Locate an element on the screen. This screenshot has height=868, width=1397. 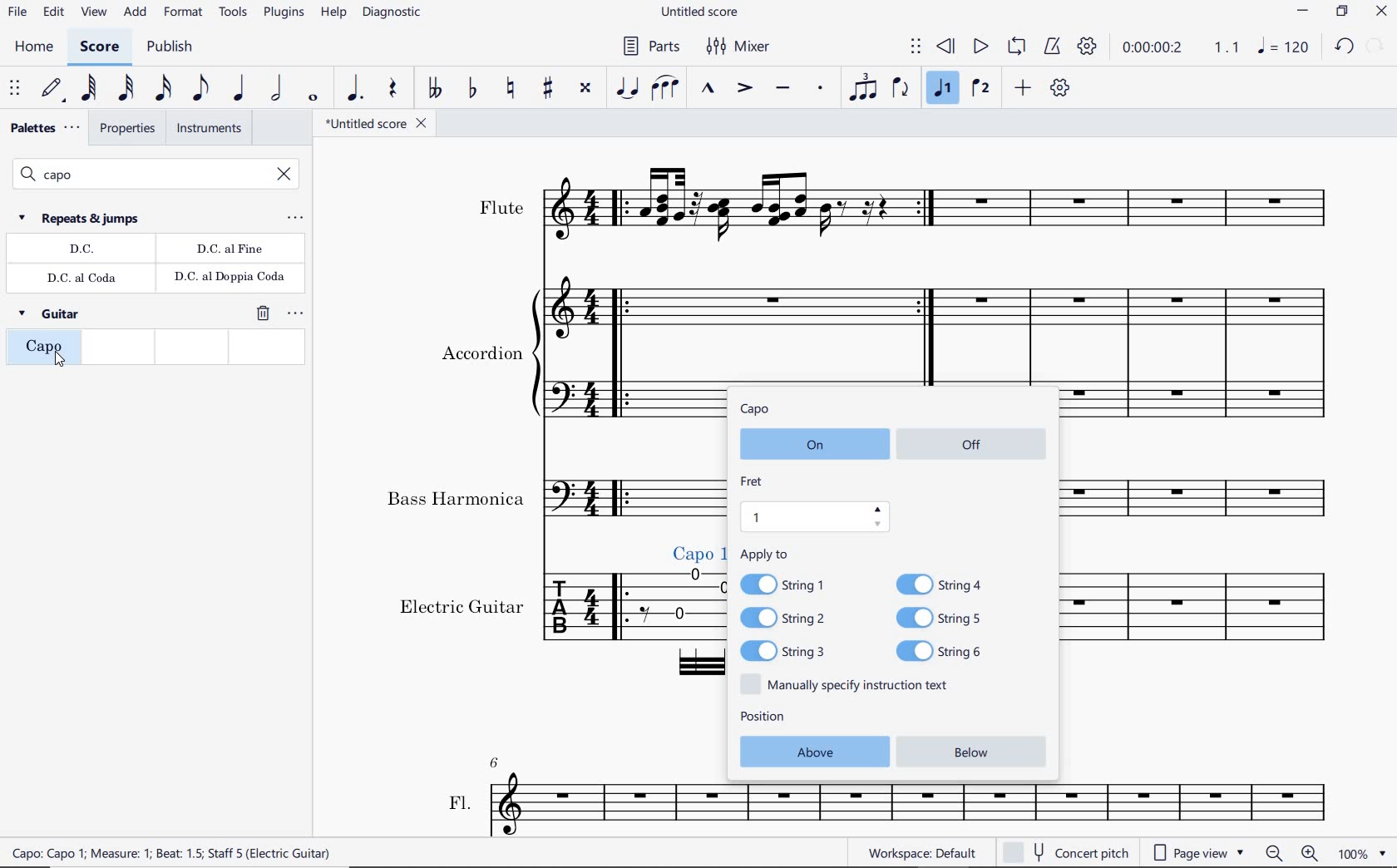
default (step time) is located at coordinates (52, 90).